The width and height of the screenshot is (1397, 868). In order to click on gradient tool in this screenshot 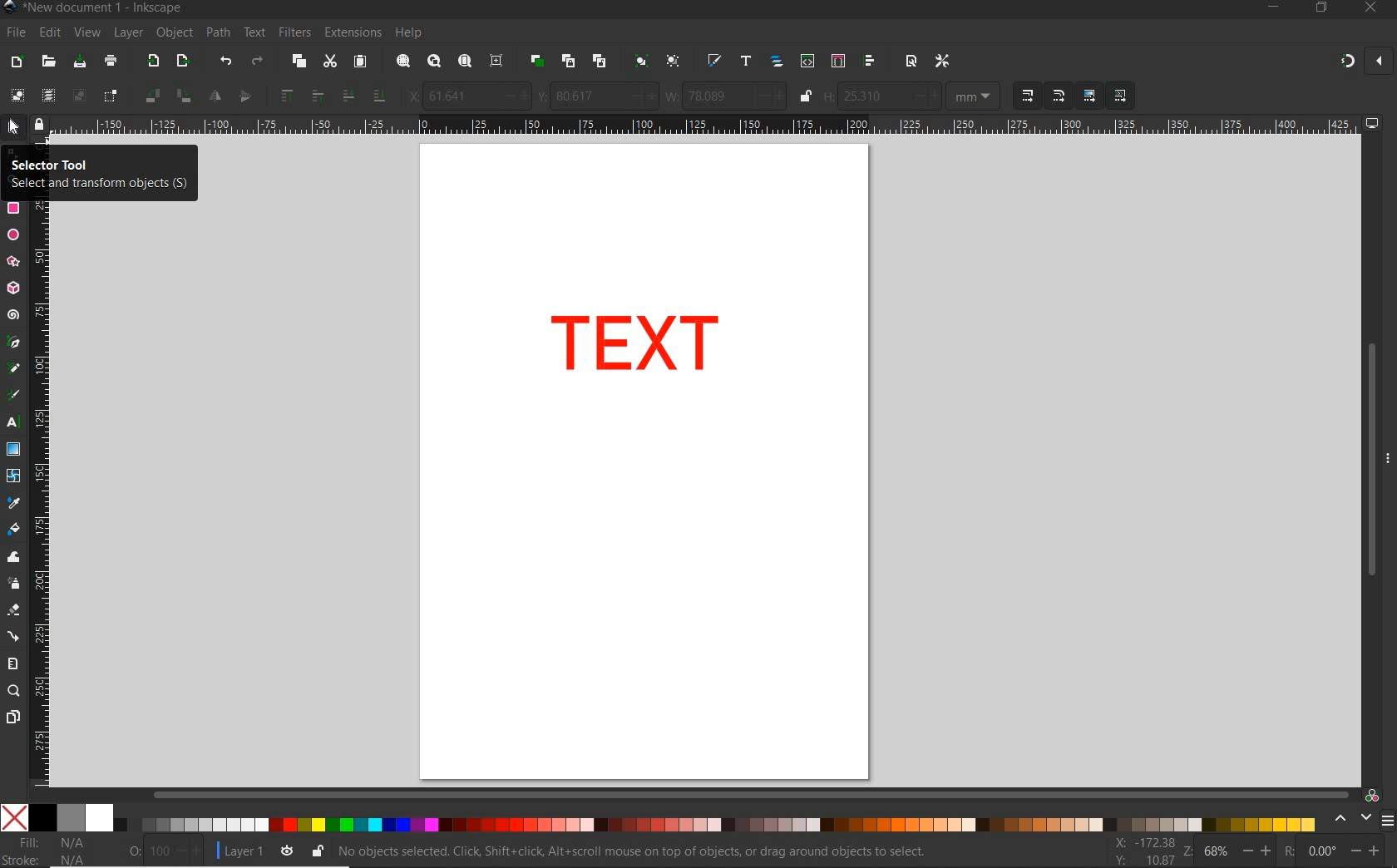, I will do `click(13, 450)`.